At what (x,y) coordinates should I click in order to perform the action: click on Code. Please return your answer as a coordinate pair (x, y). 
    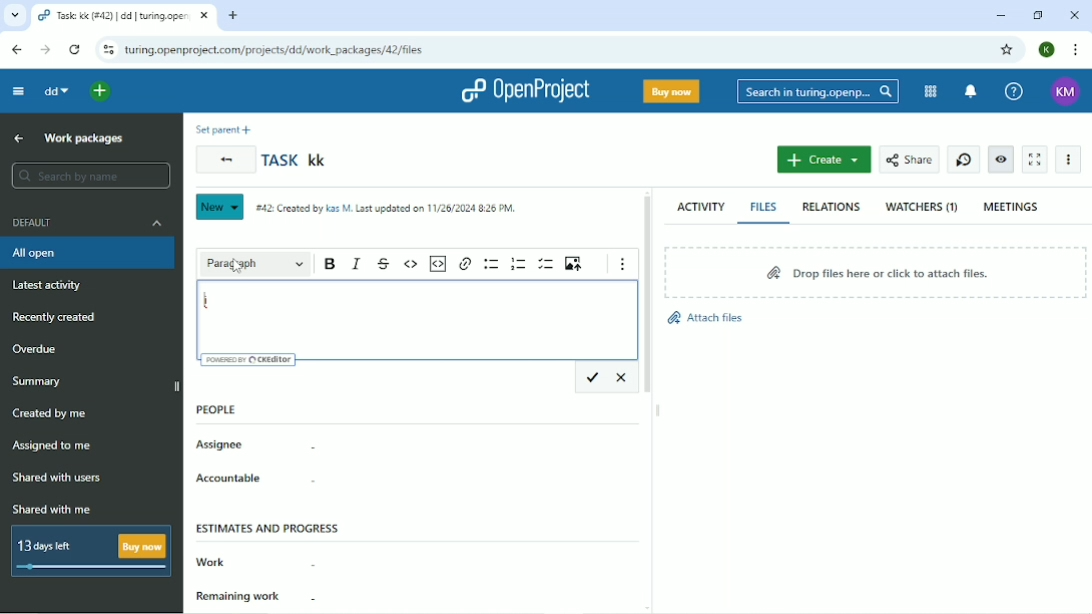
    Looking at the image, I should click on (411, 264).